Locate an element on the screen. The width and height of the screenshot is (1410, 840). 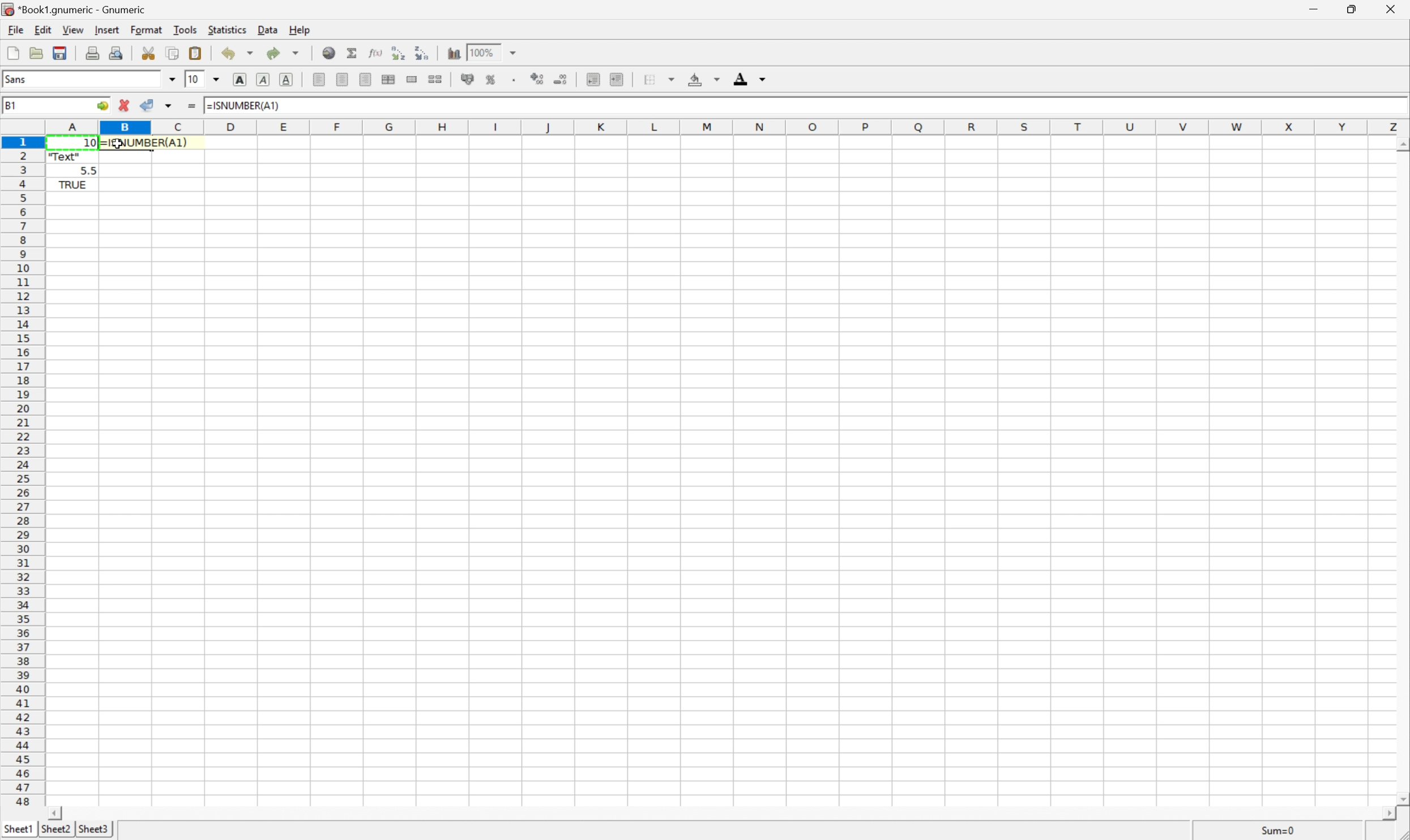
5.5 is located at coordinates (89, 169).